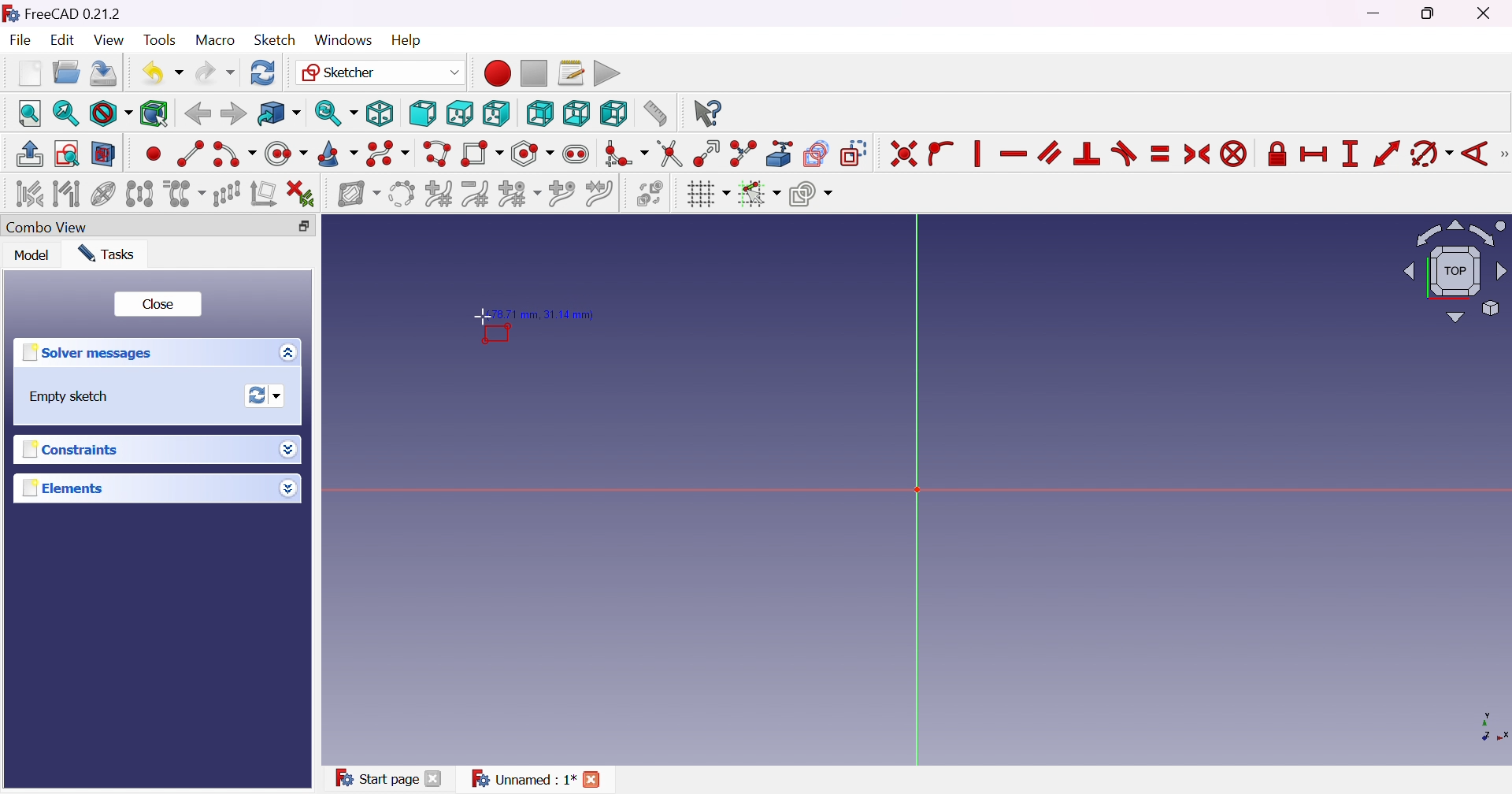 The image size is (1512, 794). I want to click on Refresh, so click(265, 72).